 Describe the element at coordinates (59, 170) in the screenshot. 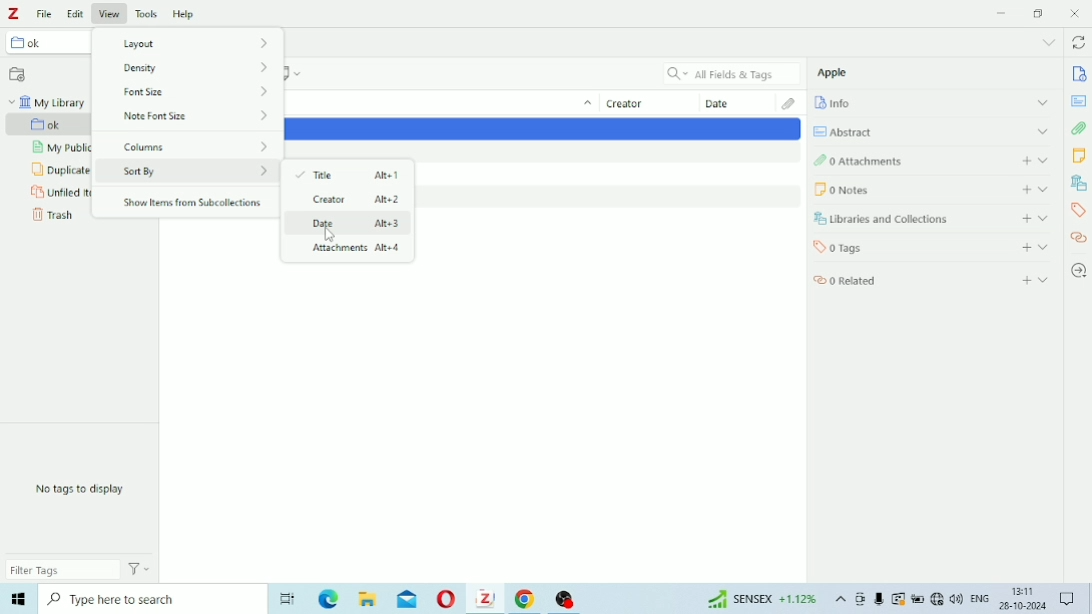

I see `Duplicate items.` at that location.